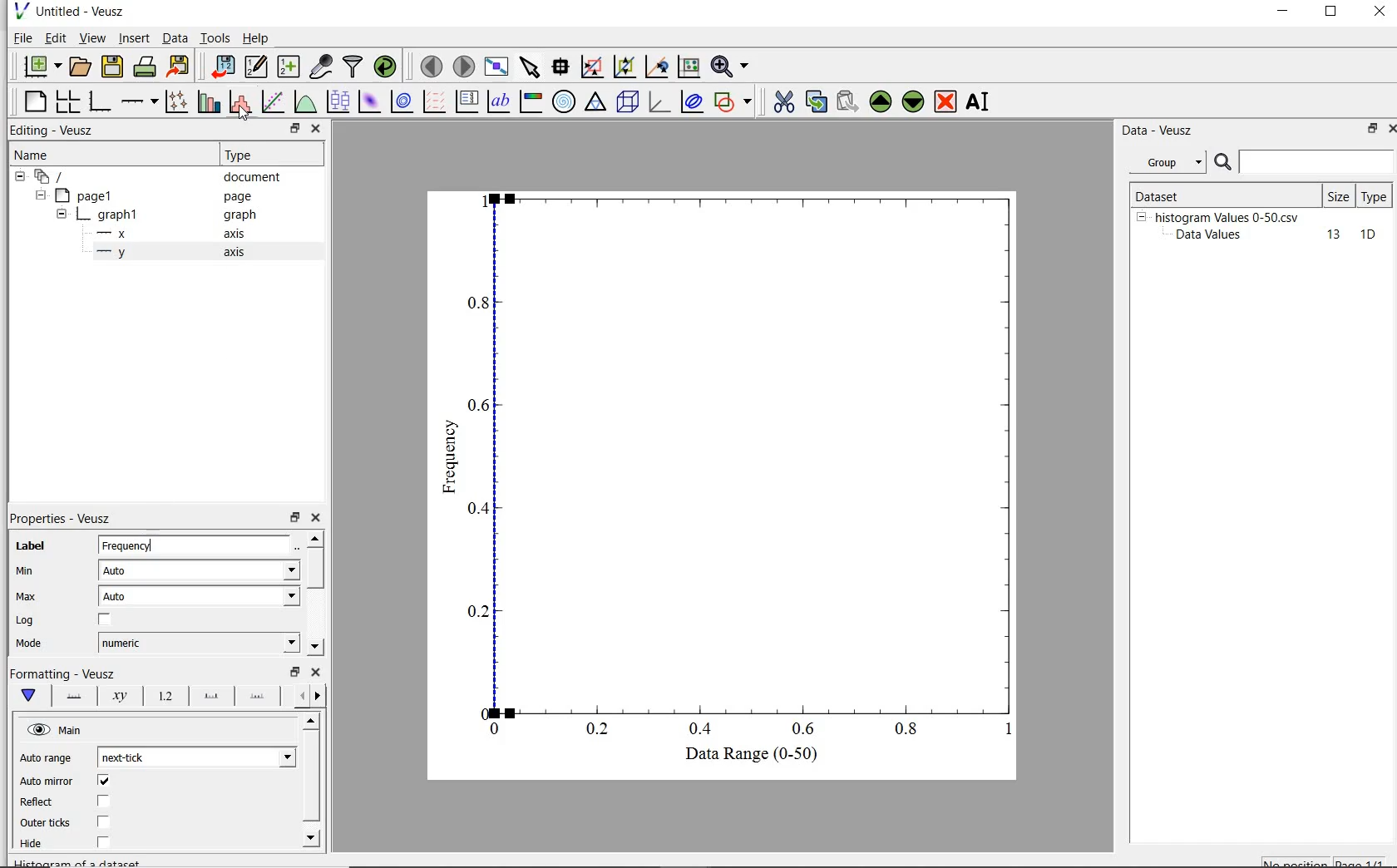 The image size is (1397, 868). I want to click on insert, so click(134, 38).